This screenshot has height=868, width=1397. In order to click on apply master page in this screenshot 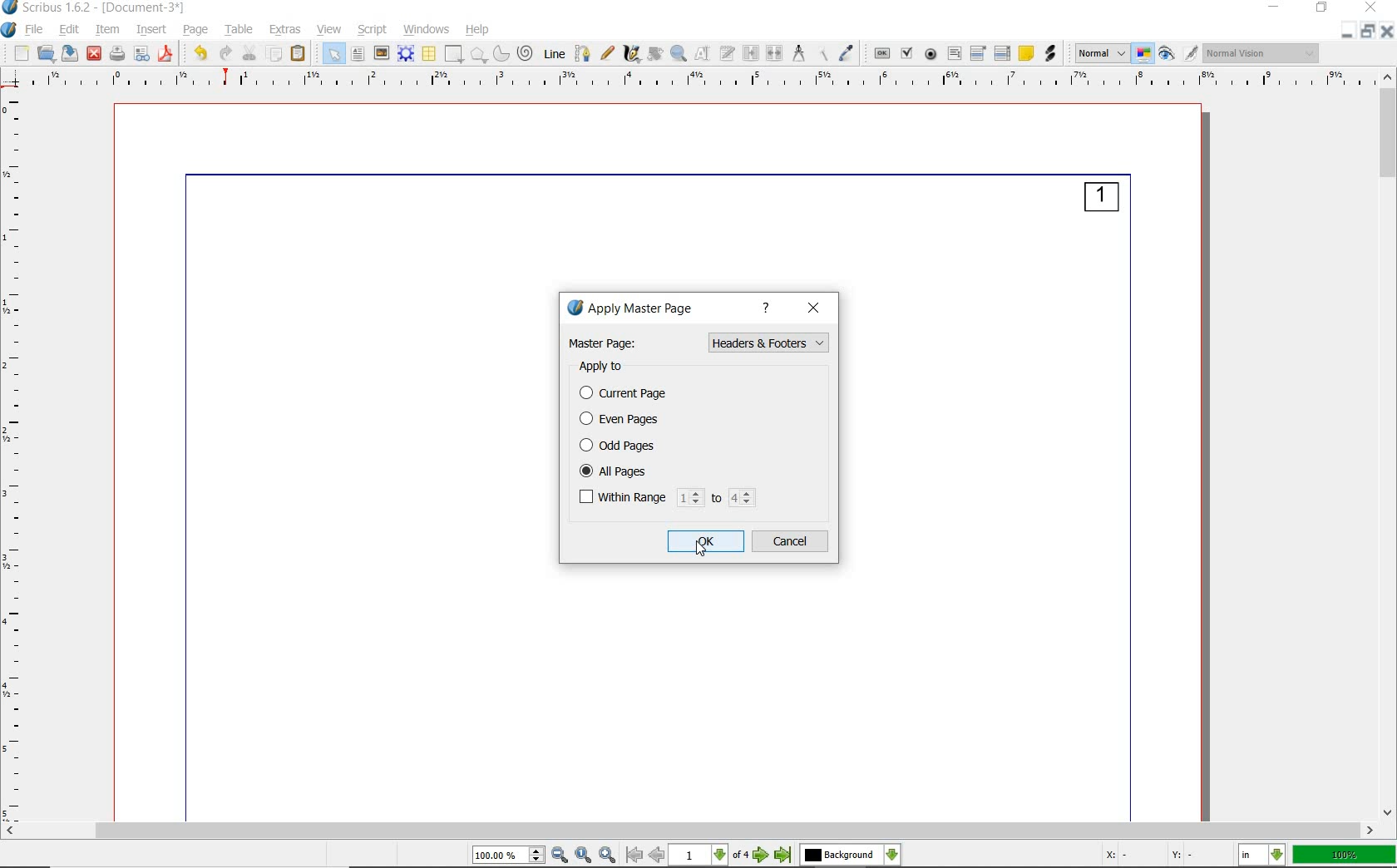, I will do `click(640, 309)`.